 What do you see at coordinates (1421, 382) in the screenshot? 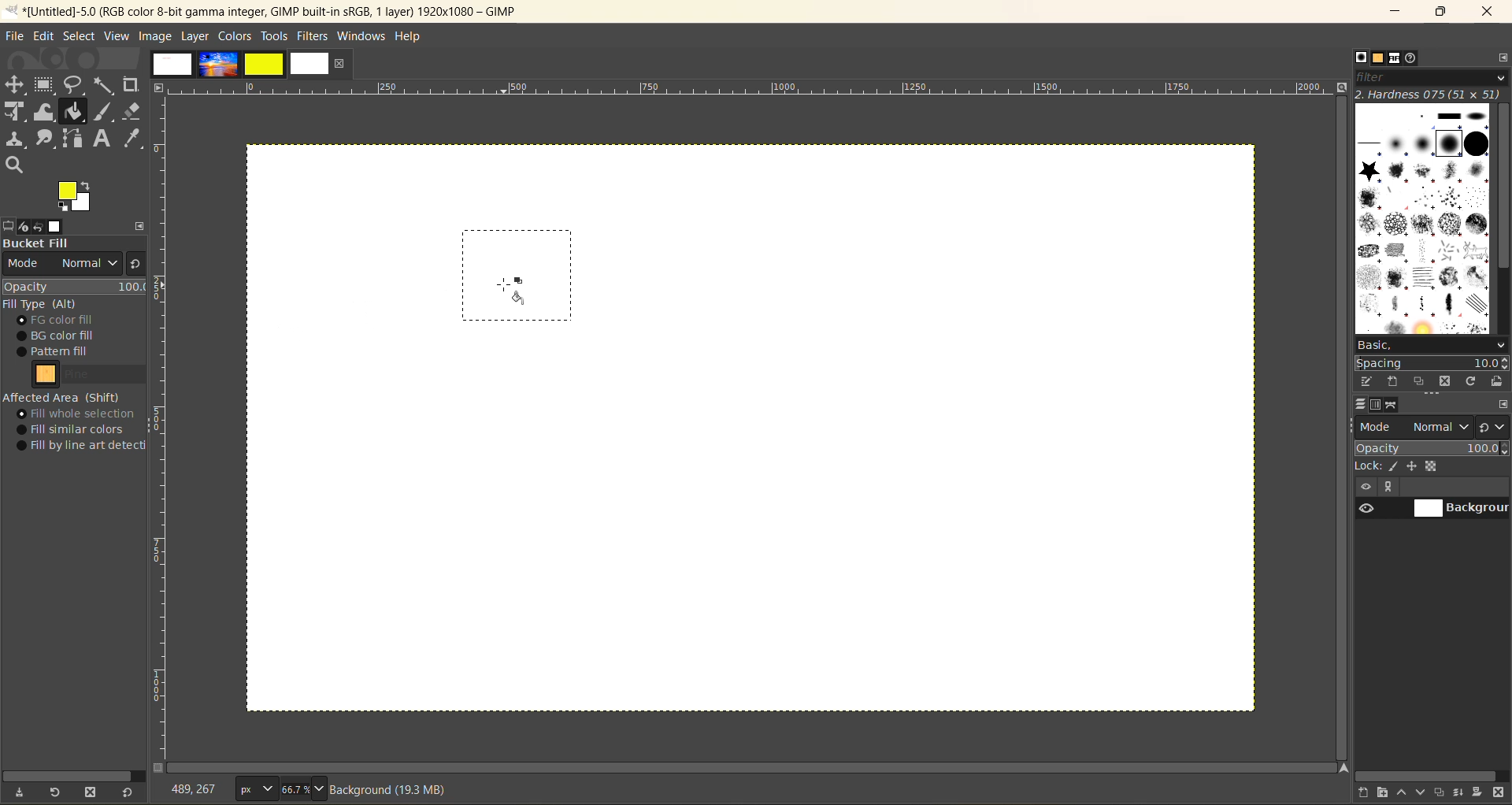
I see `duplicate this brush` at bounding box center [1421, 382].